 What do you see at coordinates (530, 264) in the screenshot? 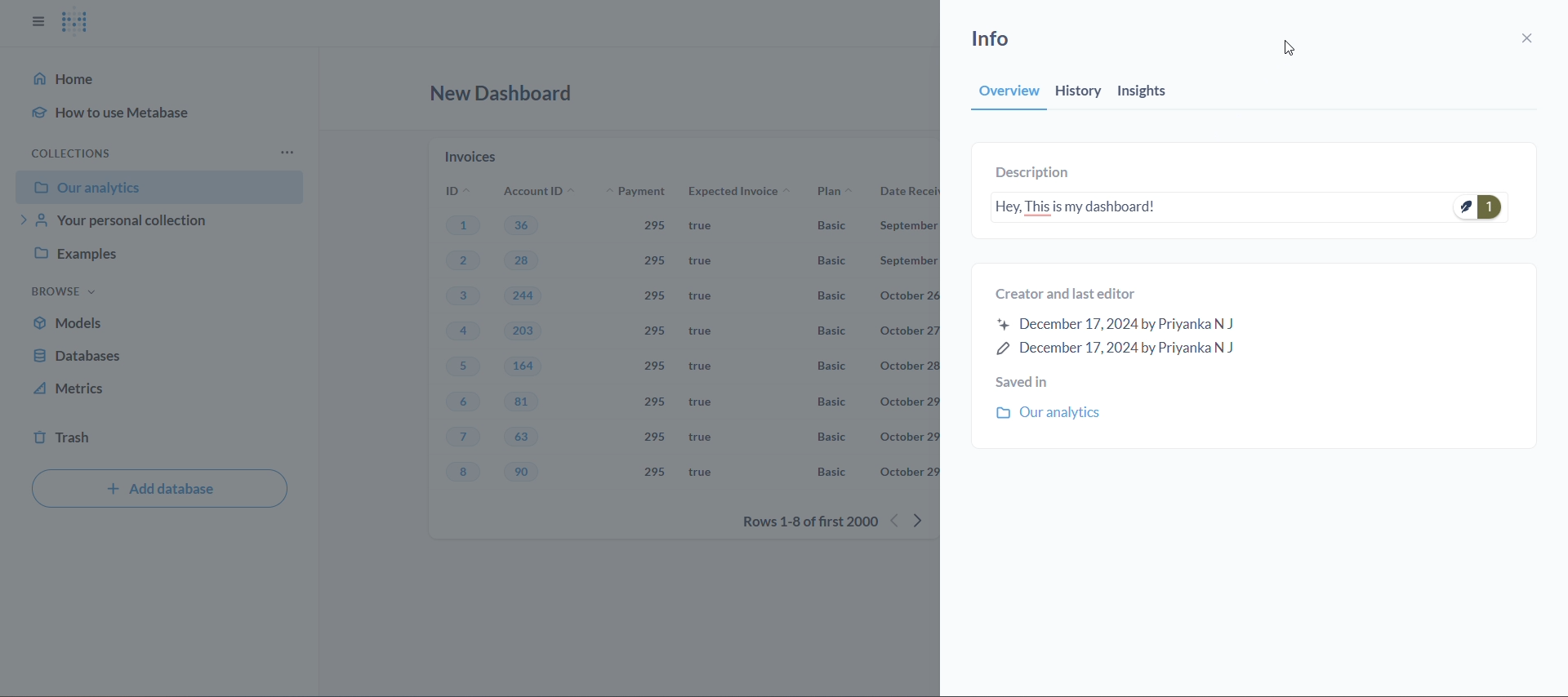
I see `28` at bounding box center [530, 264].